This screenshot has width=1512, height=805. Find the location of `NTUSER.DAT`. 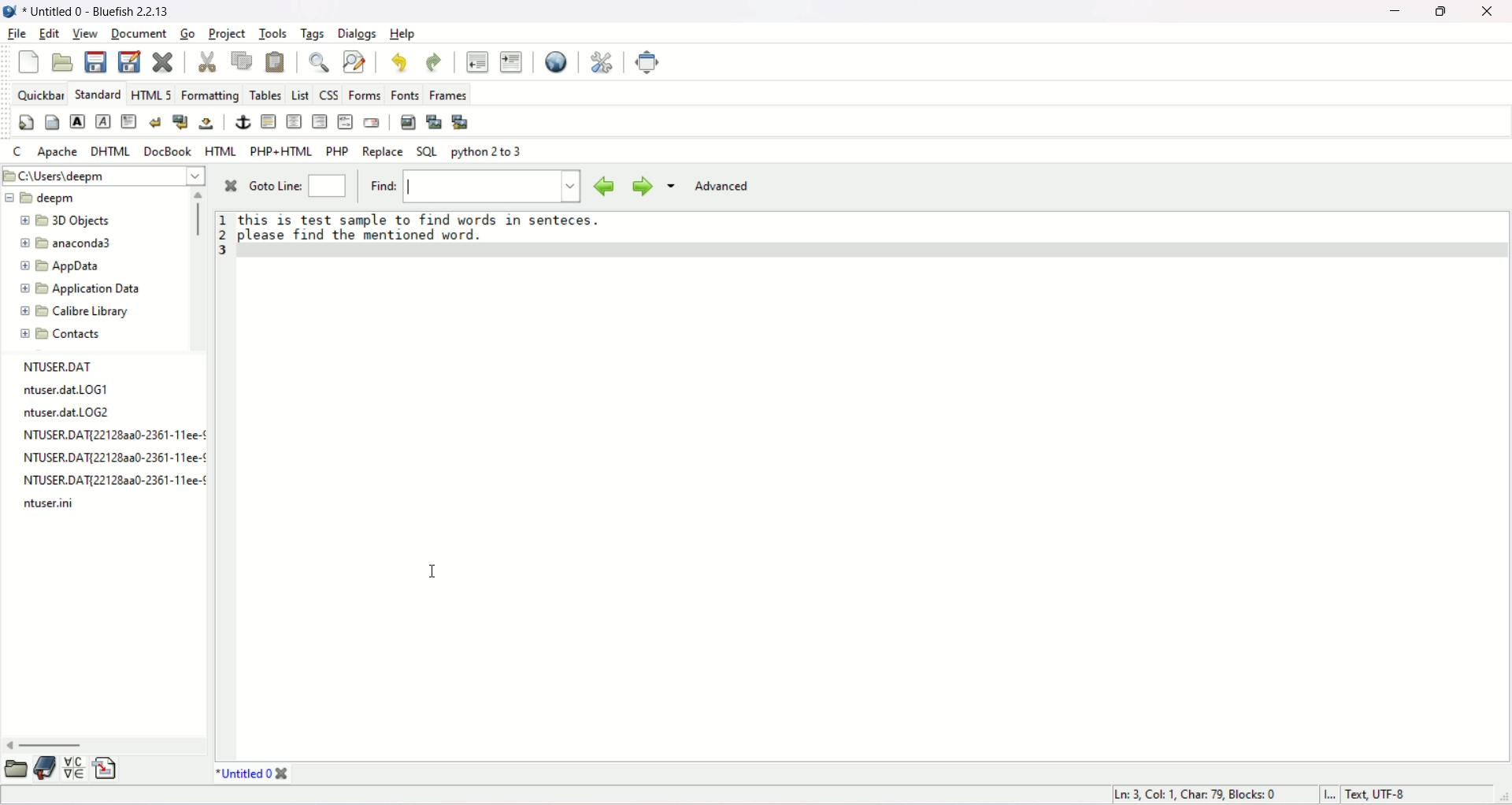

NTUSER.DAT is located at coordinates (60, 366).